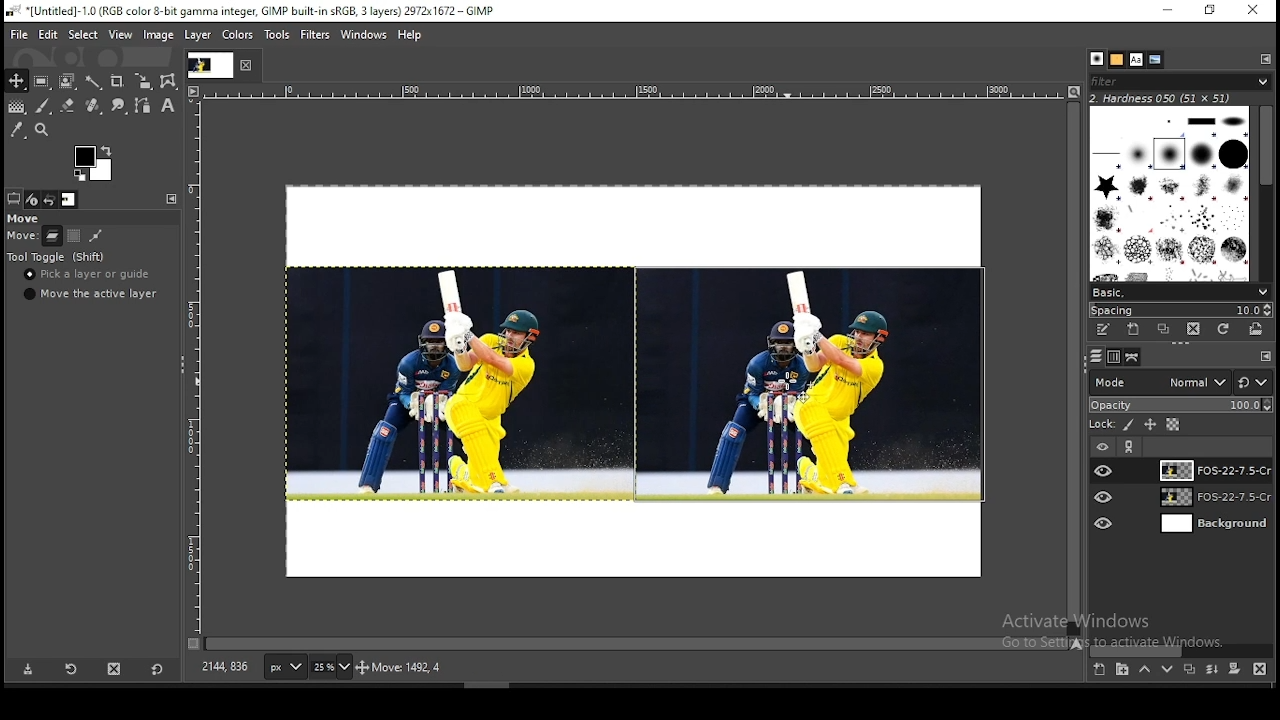 Image resolution: width=1280 pixels, height=720 pixels. What do you see at coordinates (1130, 427) in the screenshot?
I see `lock pixels` at bounding box center [1130, 427].